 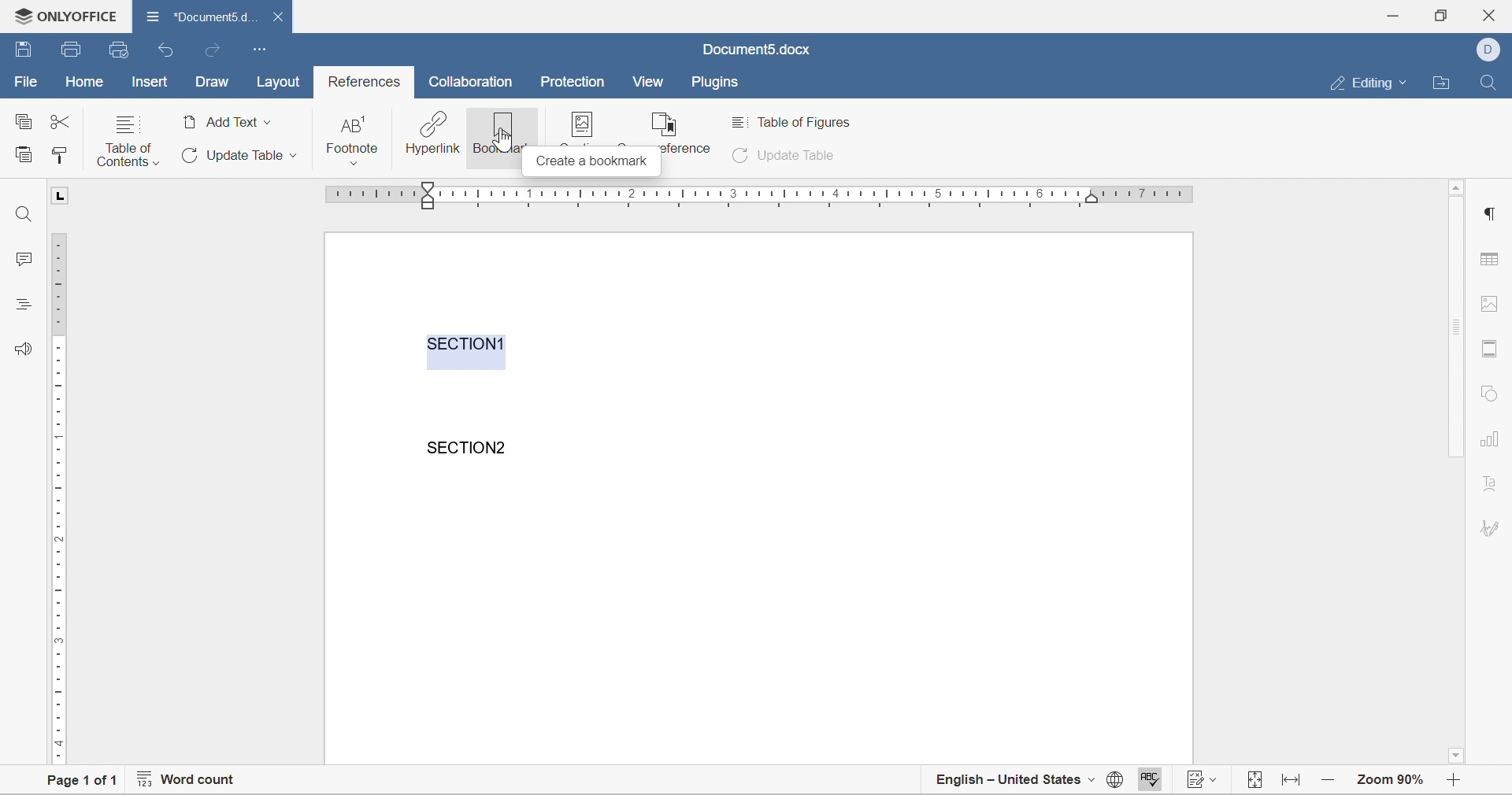 I want to click on add text, so click(x=228, y=122).